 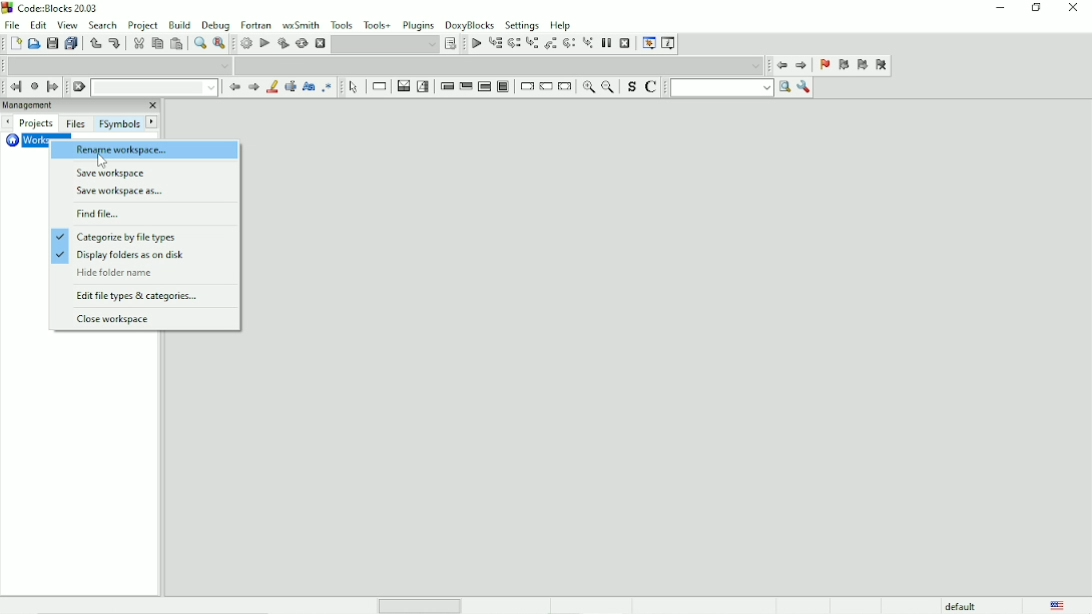 What do you see at coordinates (385, 44) in the screenshot?
I see `Drop down` at bounding box center [385, 44].